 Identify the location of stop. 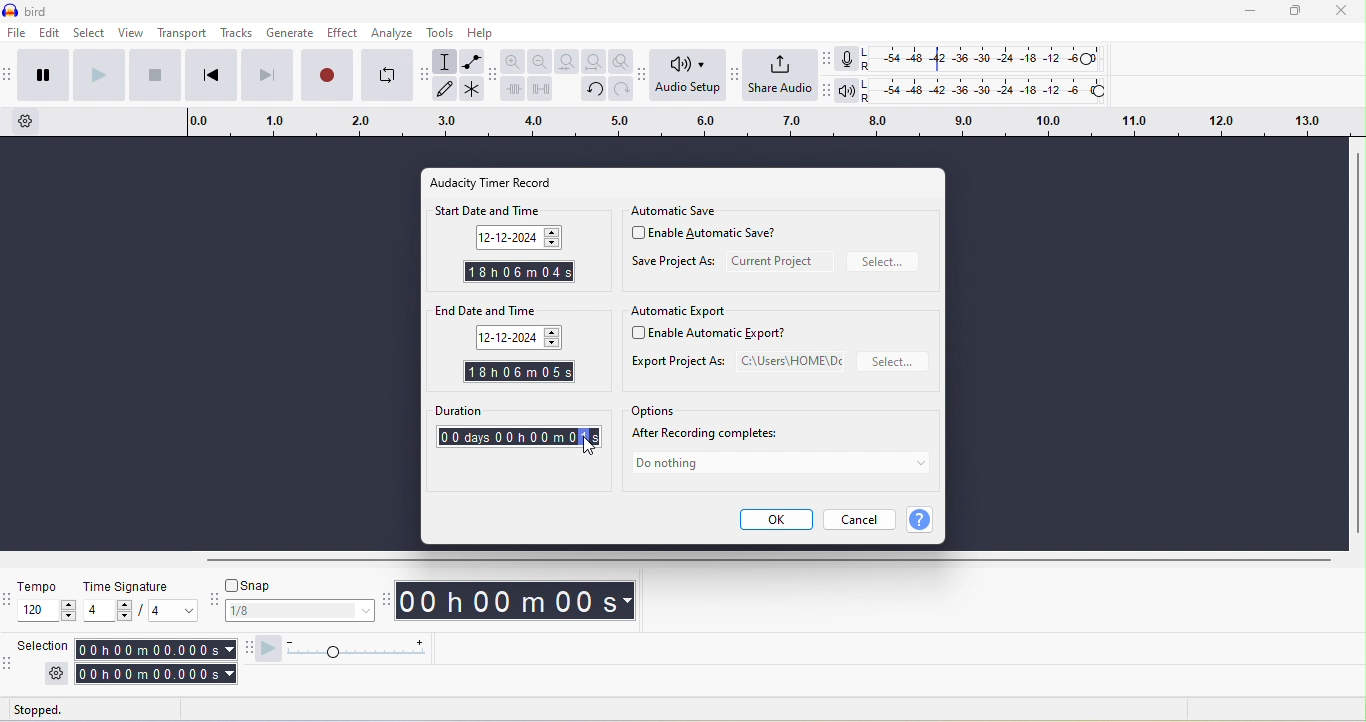
(154, 76).